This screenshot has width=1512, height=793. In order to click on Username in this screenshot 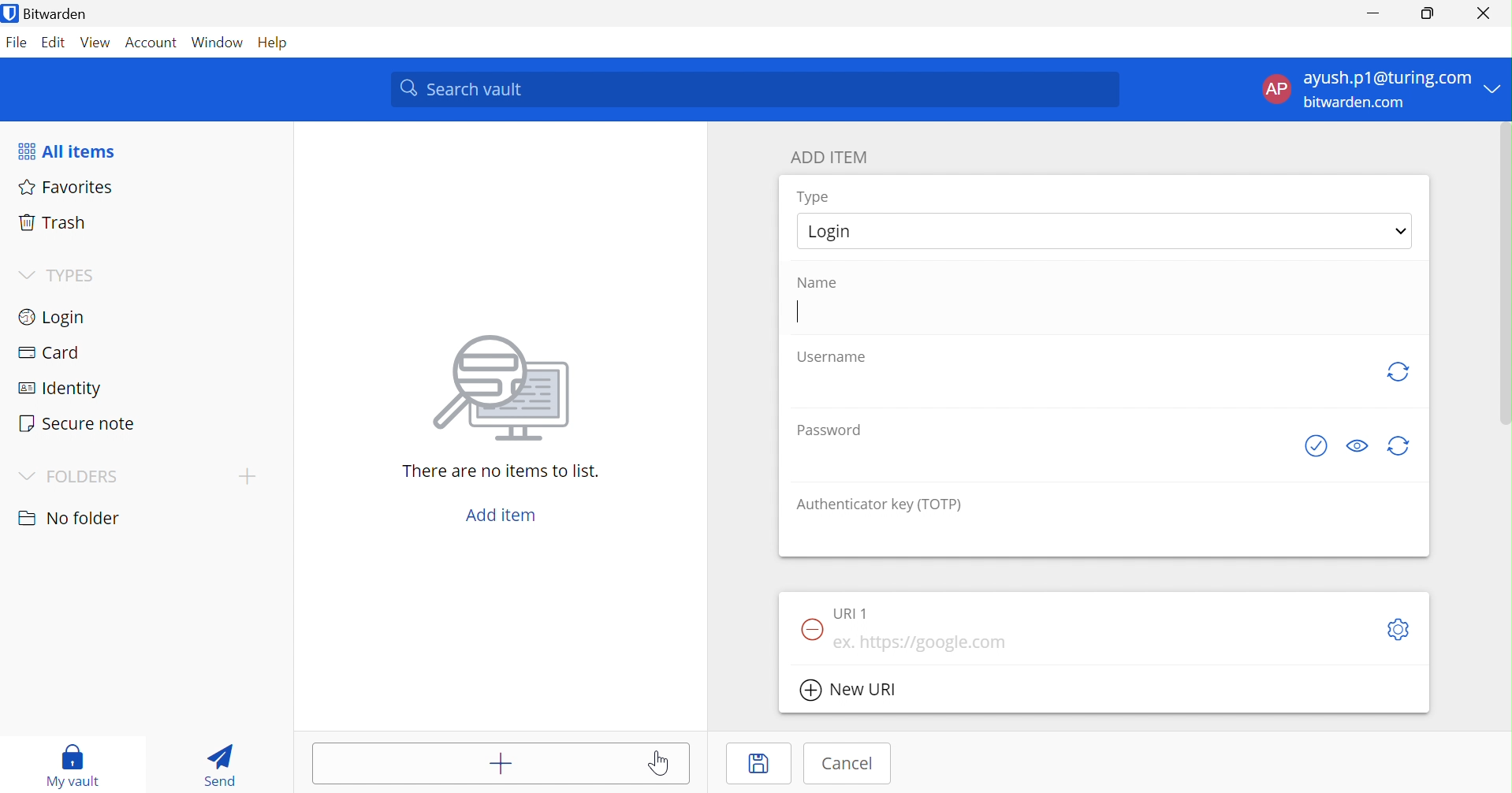, I will do `click(836, 357)`.